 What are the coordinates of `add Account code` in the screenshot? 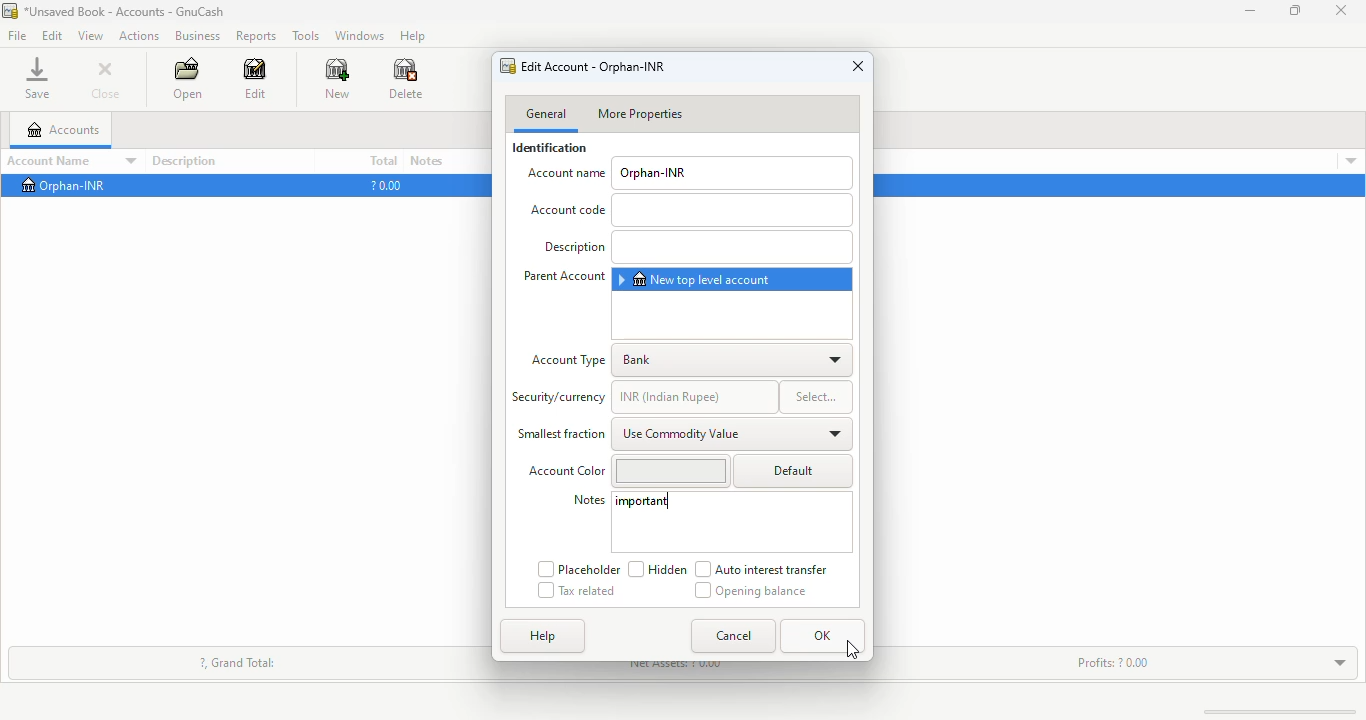 It's located at (729, 211).